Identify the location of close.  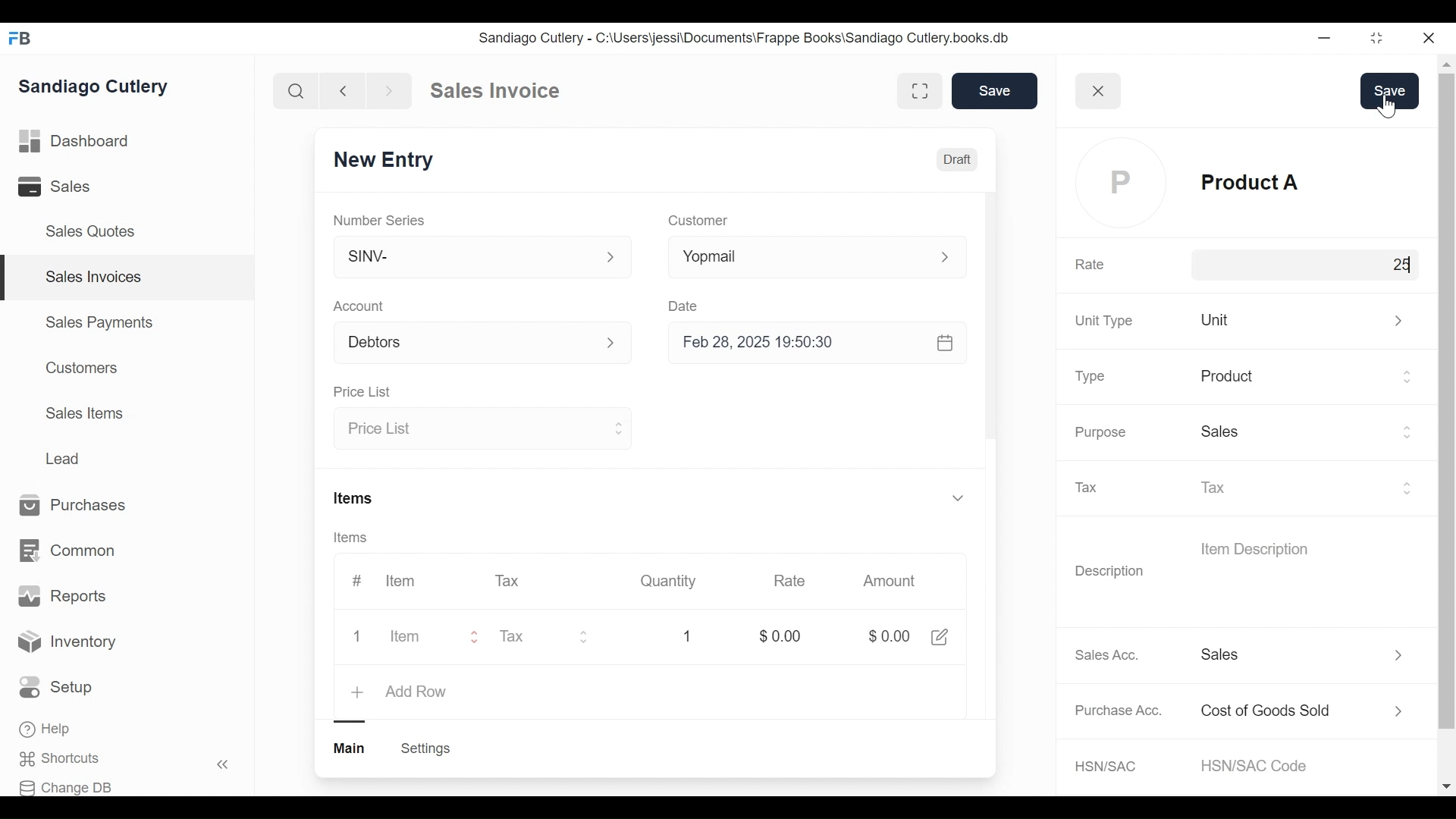
(1430, 39).